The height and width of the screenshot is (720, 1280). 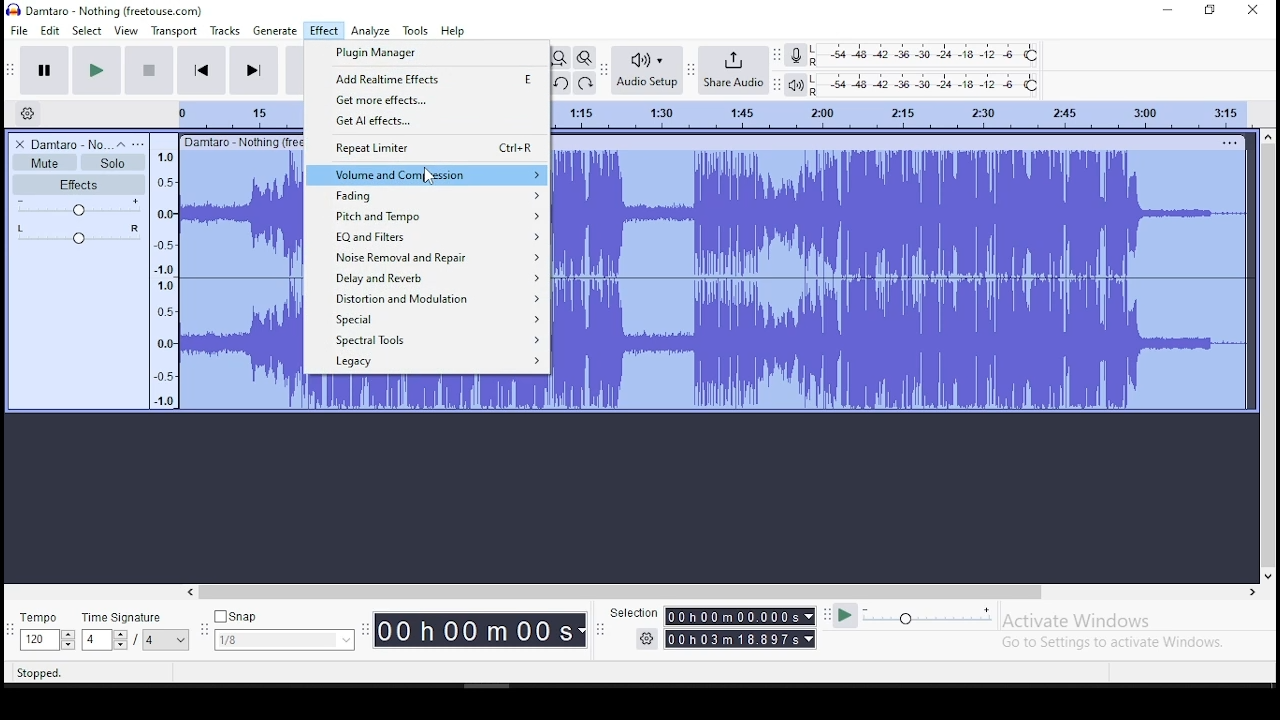 What do you see at coordinates (796, 54) in the screenshot?
I see `record meter` at bounding box center [796, 54].